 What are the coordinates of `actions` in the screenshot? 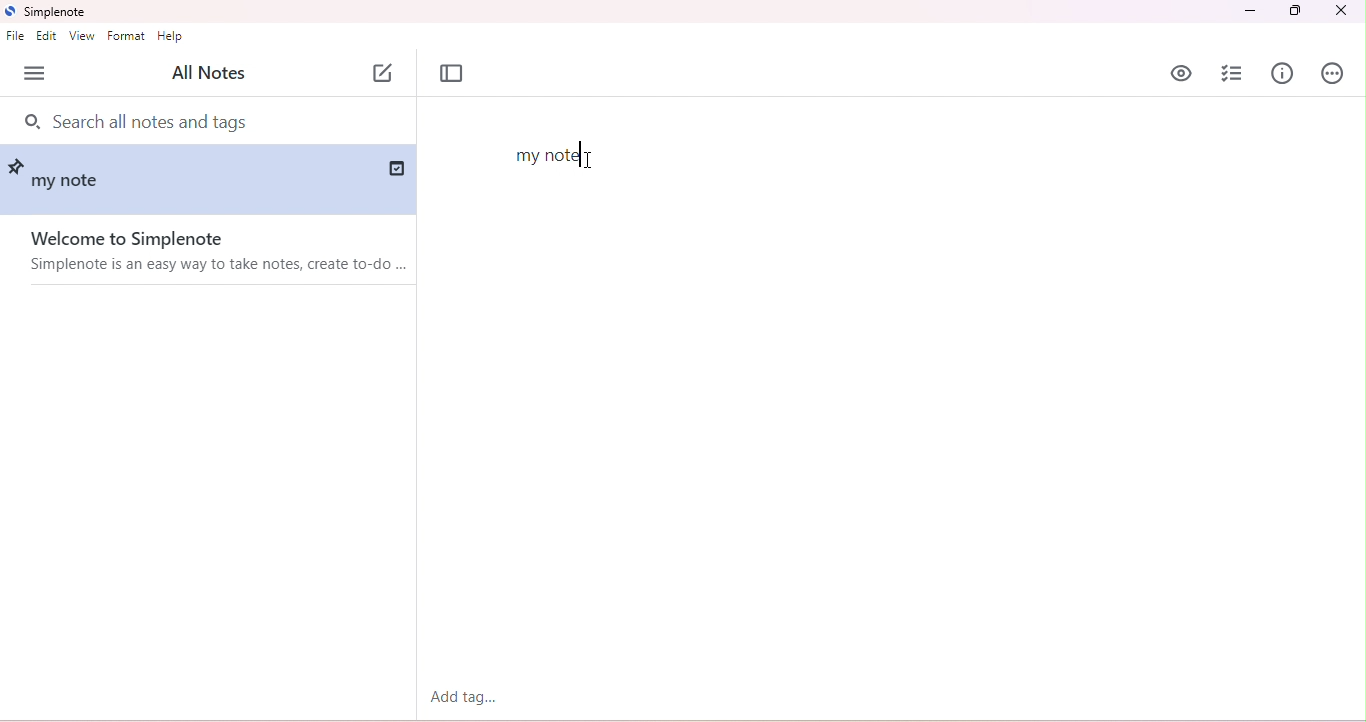 It's located at (1333, 74).